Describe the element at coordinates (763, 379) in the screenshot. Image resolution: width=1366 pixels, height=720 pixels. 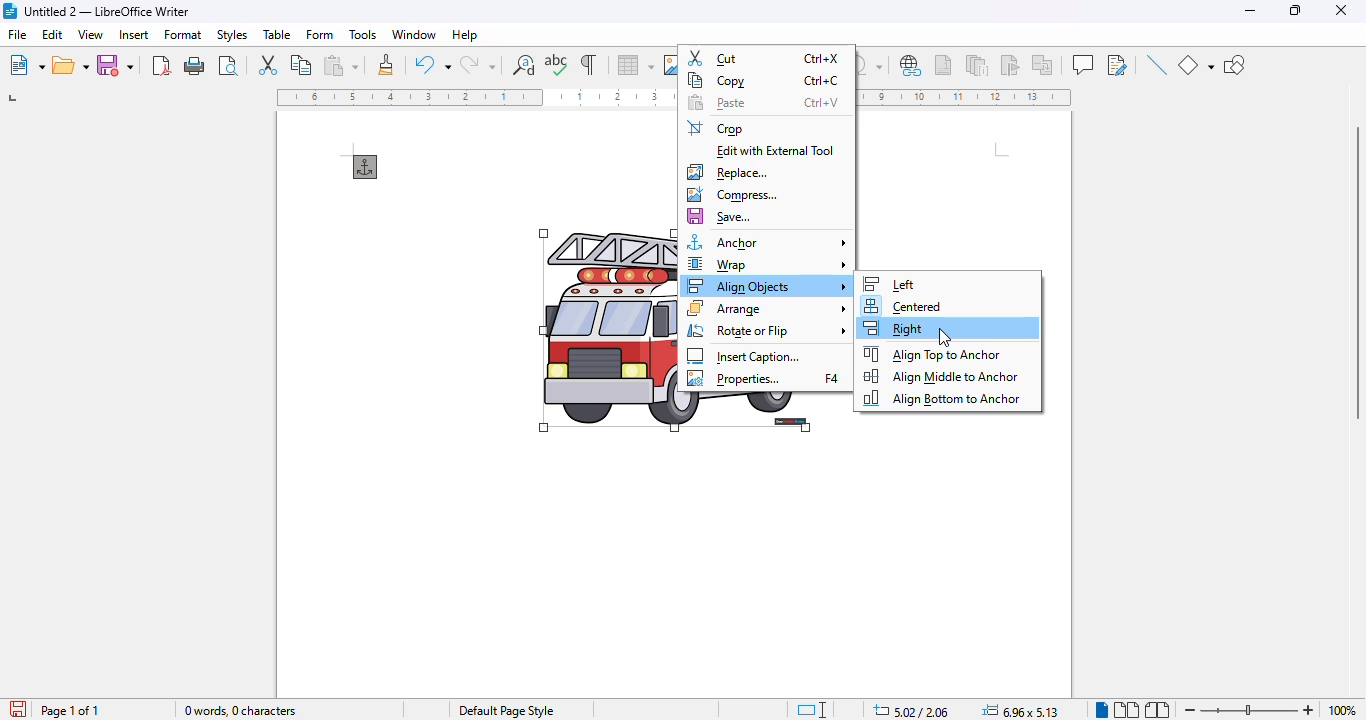
I see `properties` at that location.